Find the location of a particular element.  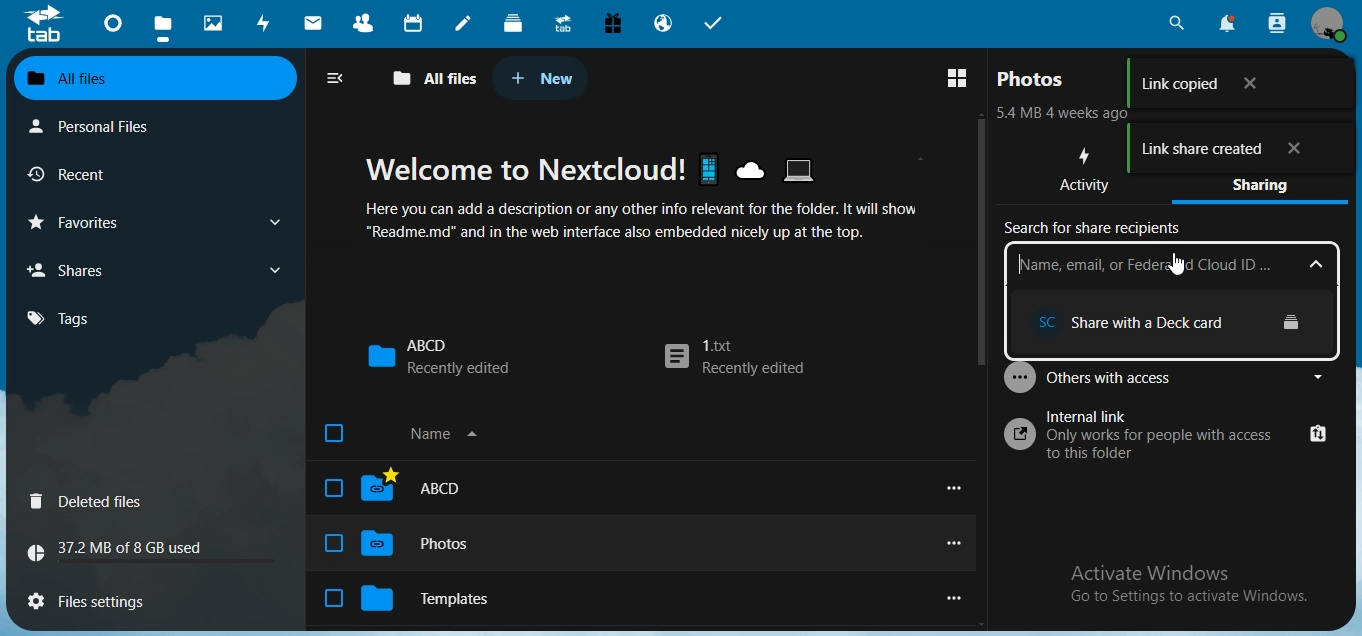

notifications is located at coordinates (1225, 23).